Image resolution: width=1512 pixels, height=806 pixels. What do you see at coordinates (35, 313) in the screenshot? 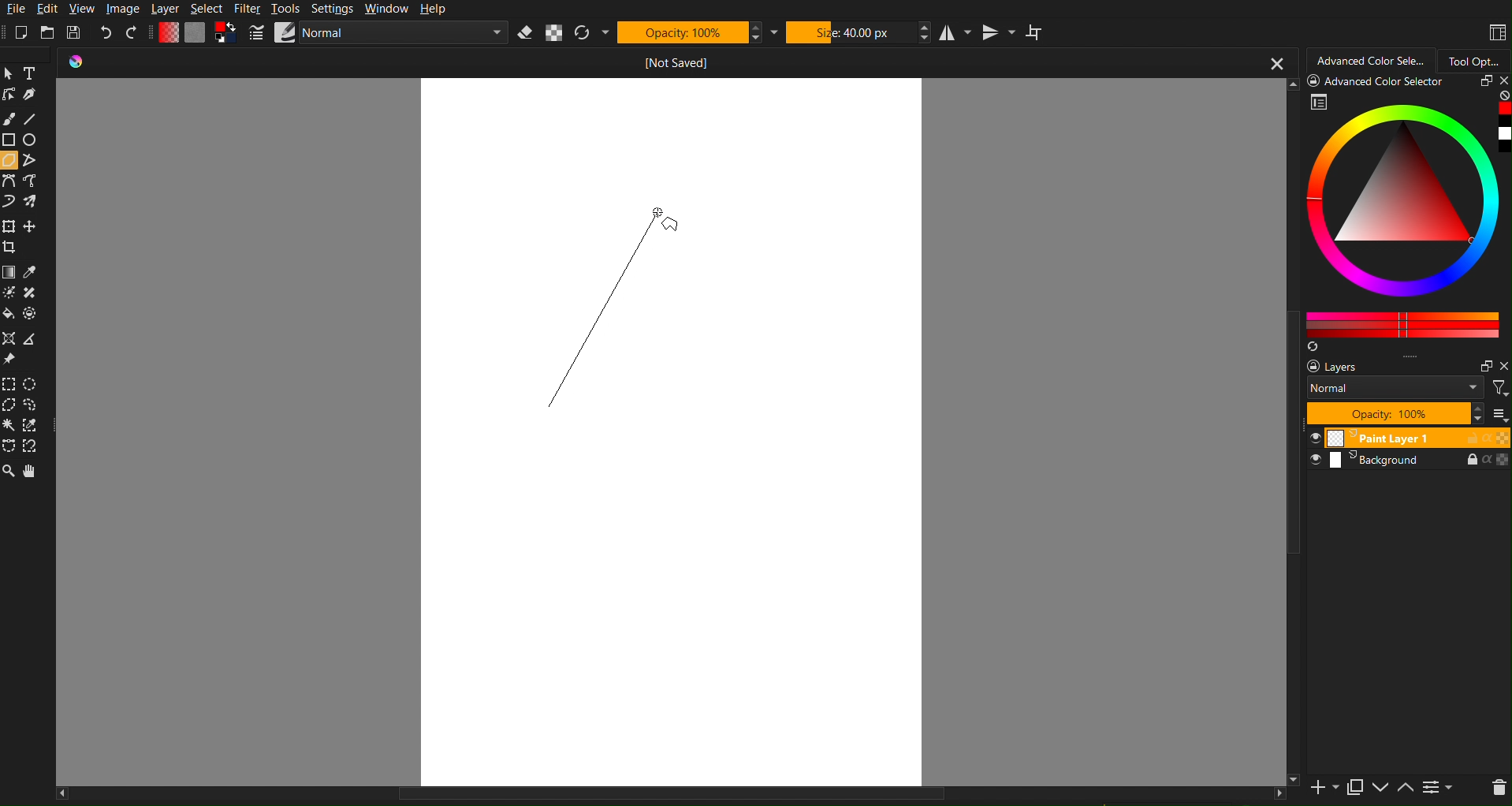
I see `enclose and fill tool` at bounding box center [35, 313].